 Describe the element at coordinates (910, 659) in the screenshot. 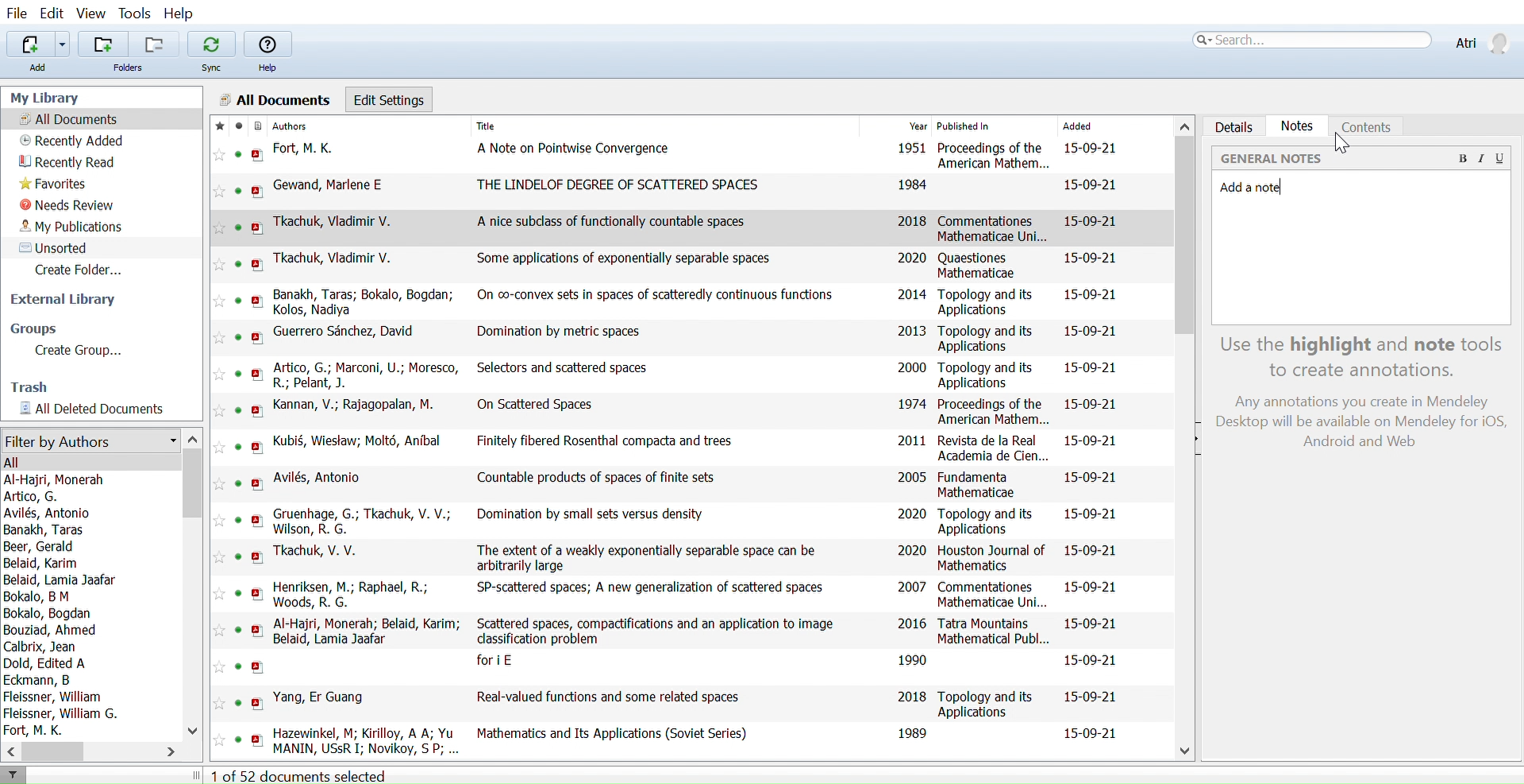

I see `1990` at that location.